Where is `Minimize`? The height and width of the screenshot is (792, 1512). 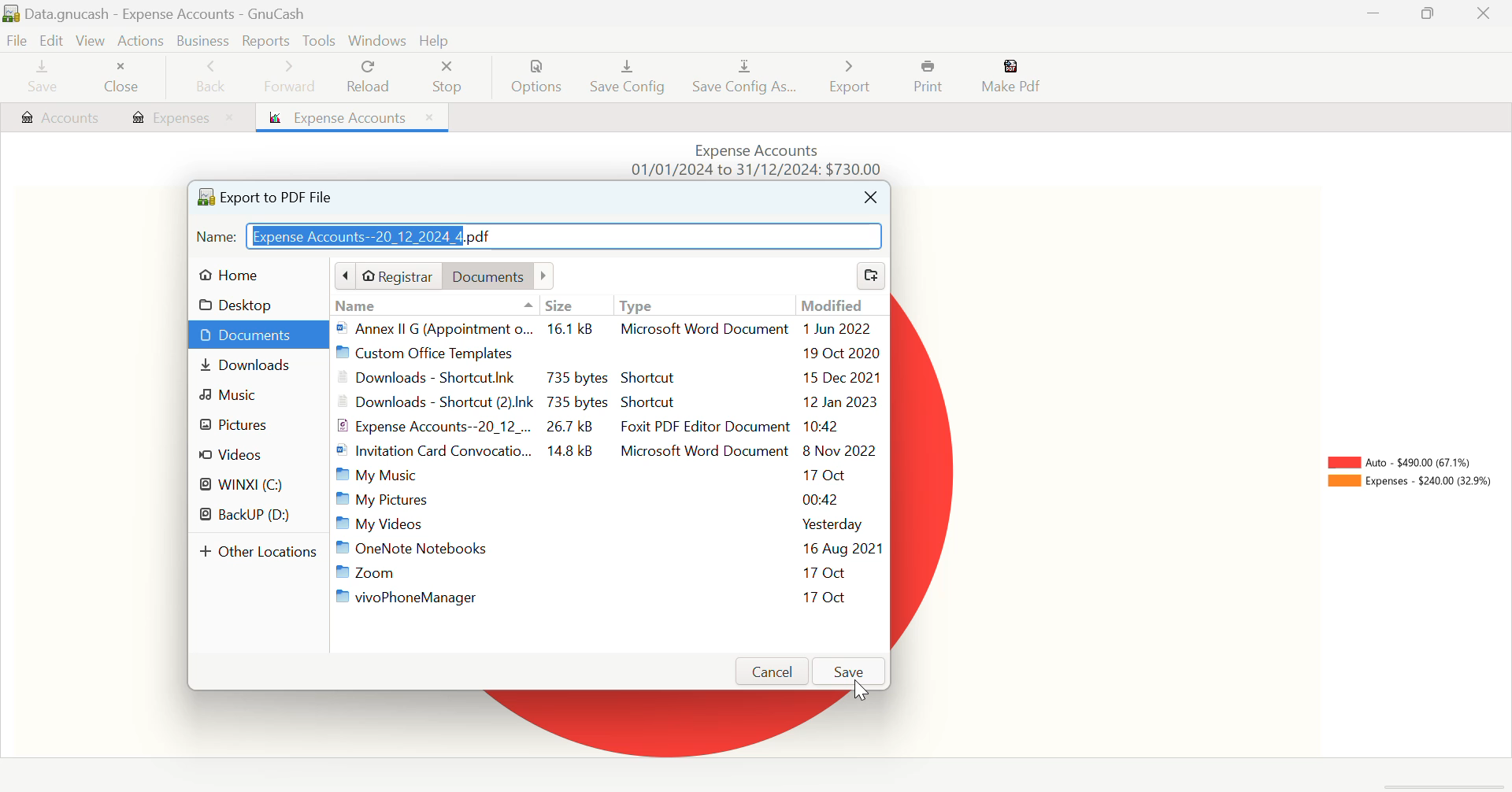
Minimize is located at coordinates (1427, 13).